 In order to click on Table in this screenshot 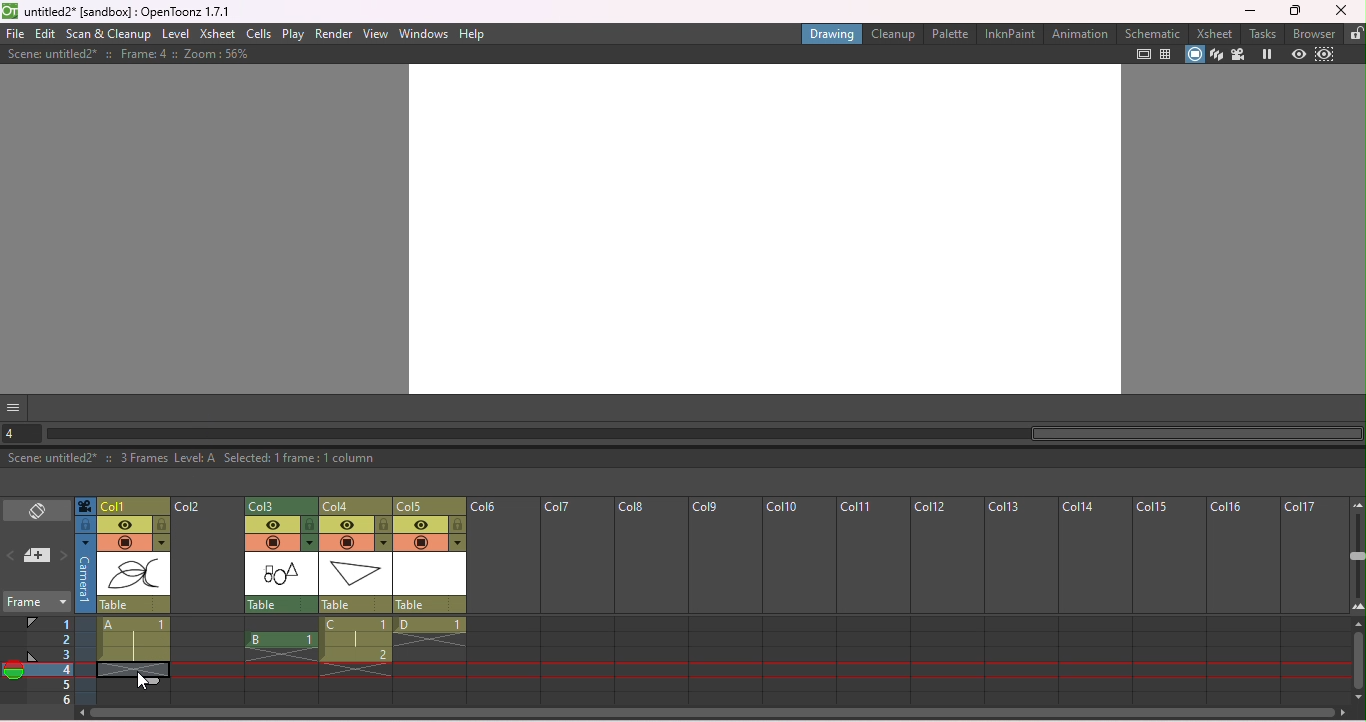, I will do `click(281, 604)`.